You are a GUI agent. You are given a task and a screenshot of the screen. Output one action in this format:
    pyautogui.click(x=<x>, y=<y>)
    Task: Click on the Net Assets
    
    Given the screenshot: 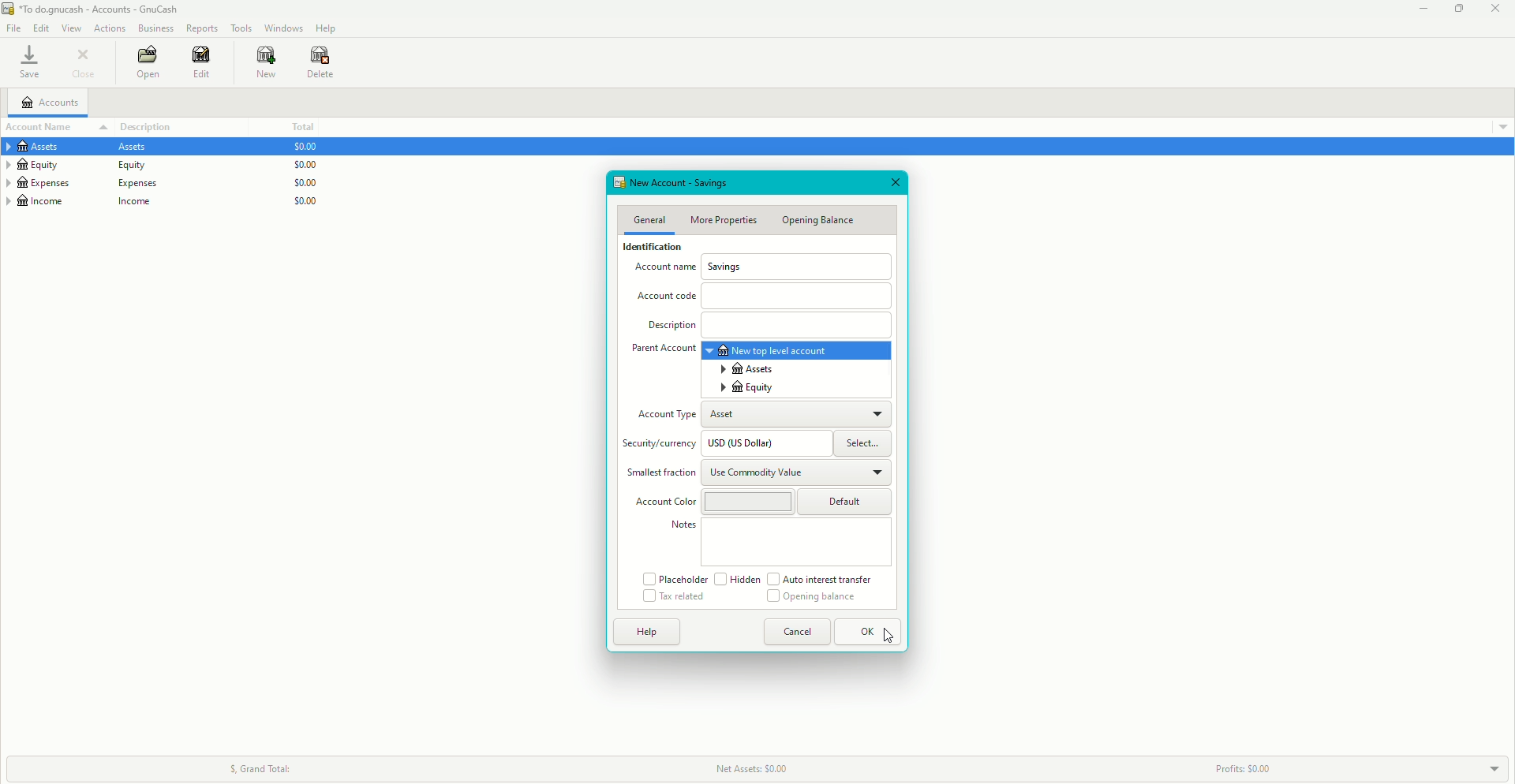 What is the action you would take?
    pyautogui.click(x=764, y=767)
    